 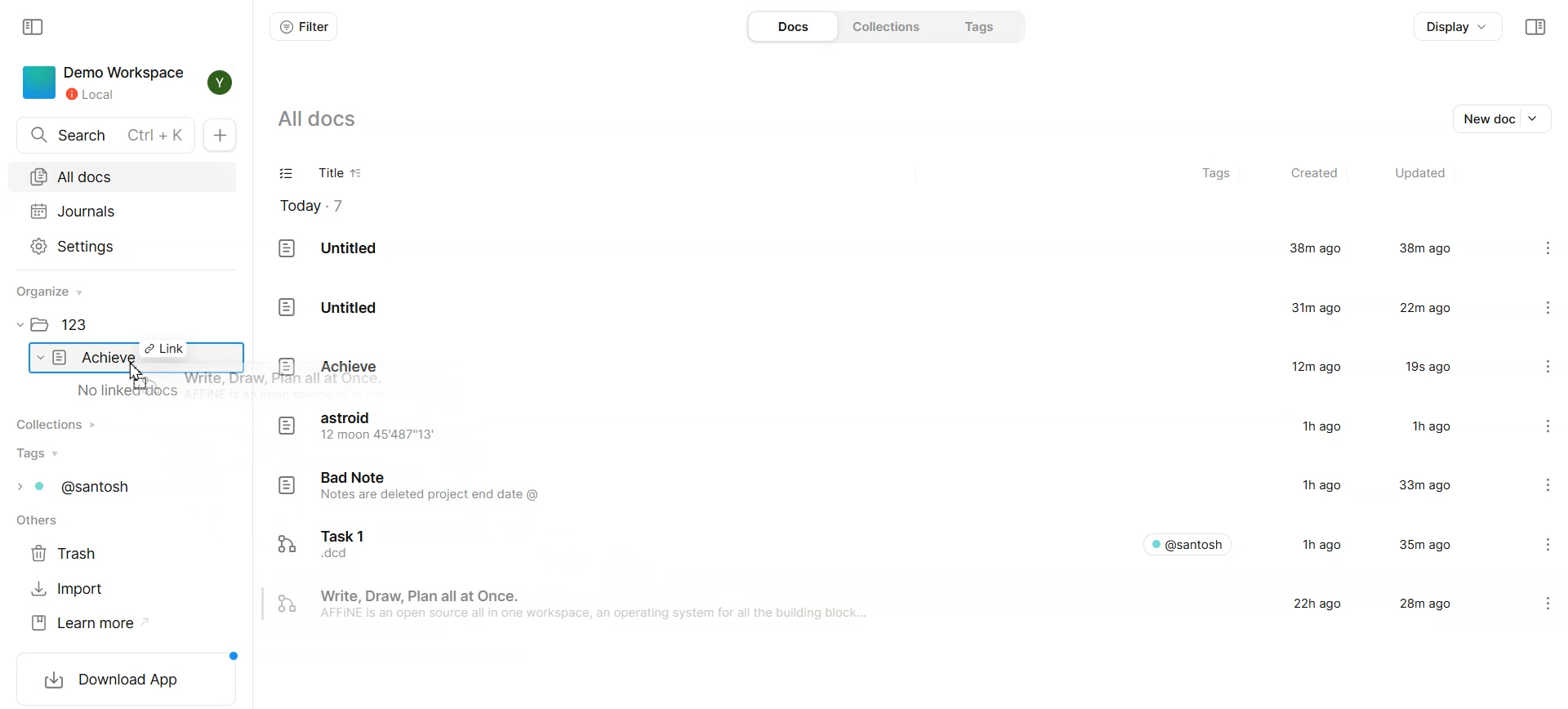 I want to click on Filter, so click(x=303, y=26).